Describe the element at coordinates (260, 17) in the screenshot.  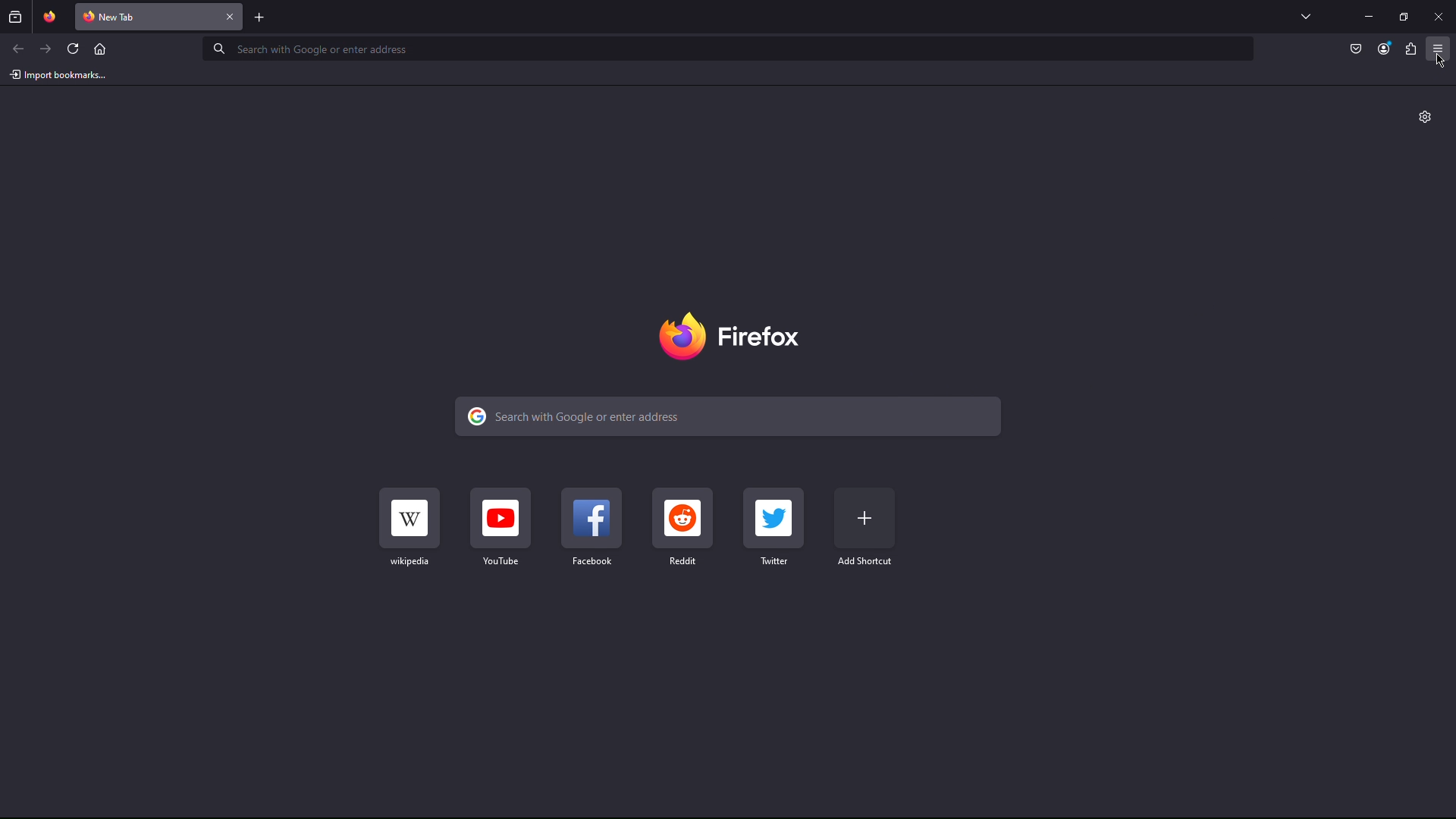
I see `Add new tab` at that location.